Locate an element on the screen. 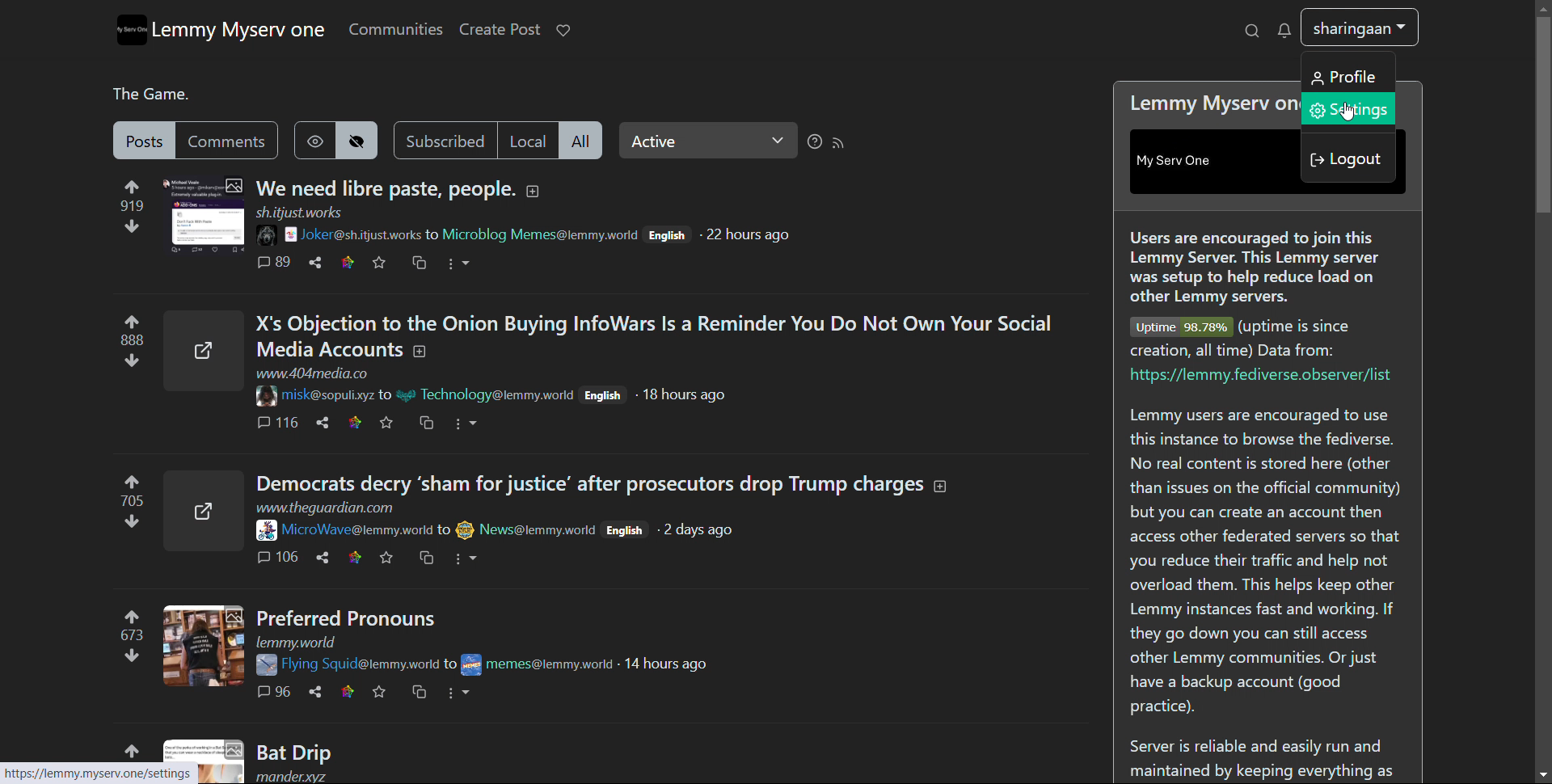 The image size is (1552, 784). more is located at coordinates (462, 695).